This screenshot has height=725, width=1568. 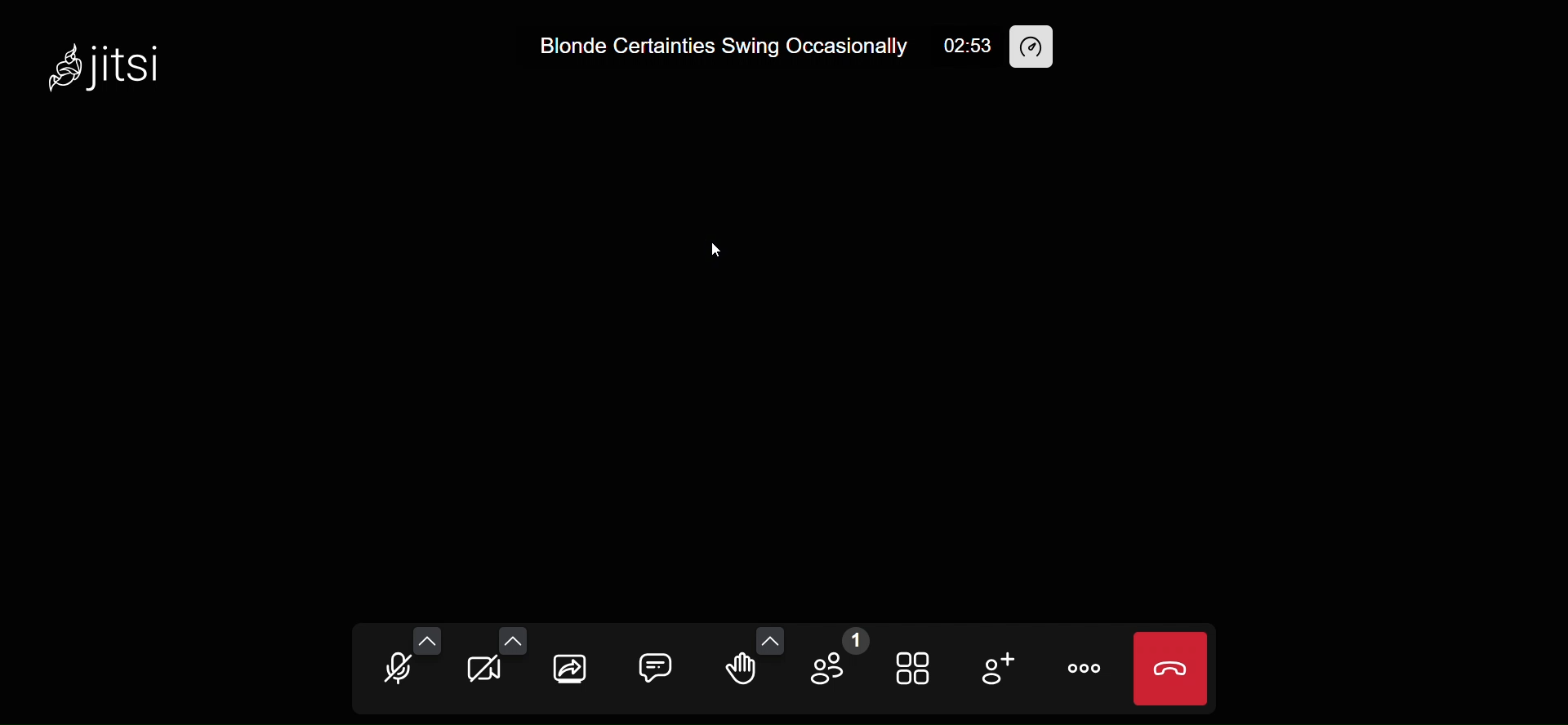 I want to click on invite people, so click(x=1001, y=669).